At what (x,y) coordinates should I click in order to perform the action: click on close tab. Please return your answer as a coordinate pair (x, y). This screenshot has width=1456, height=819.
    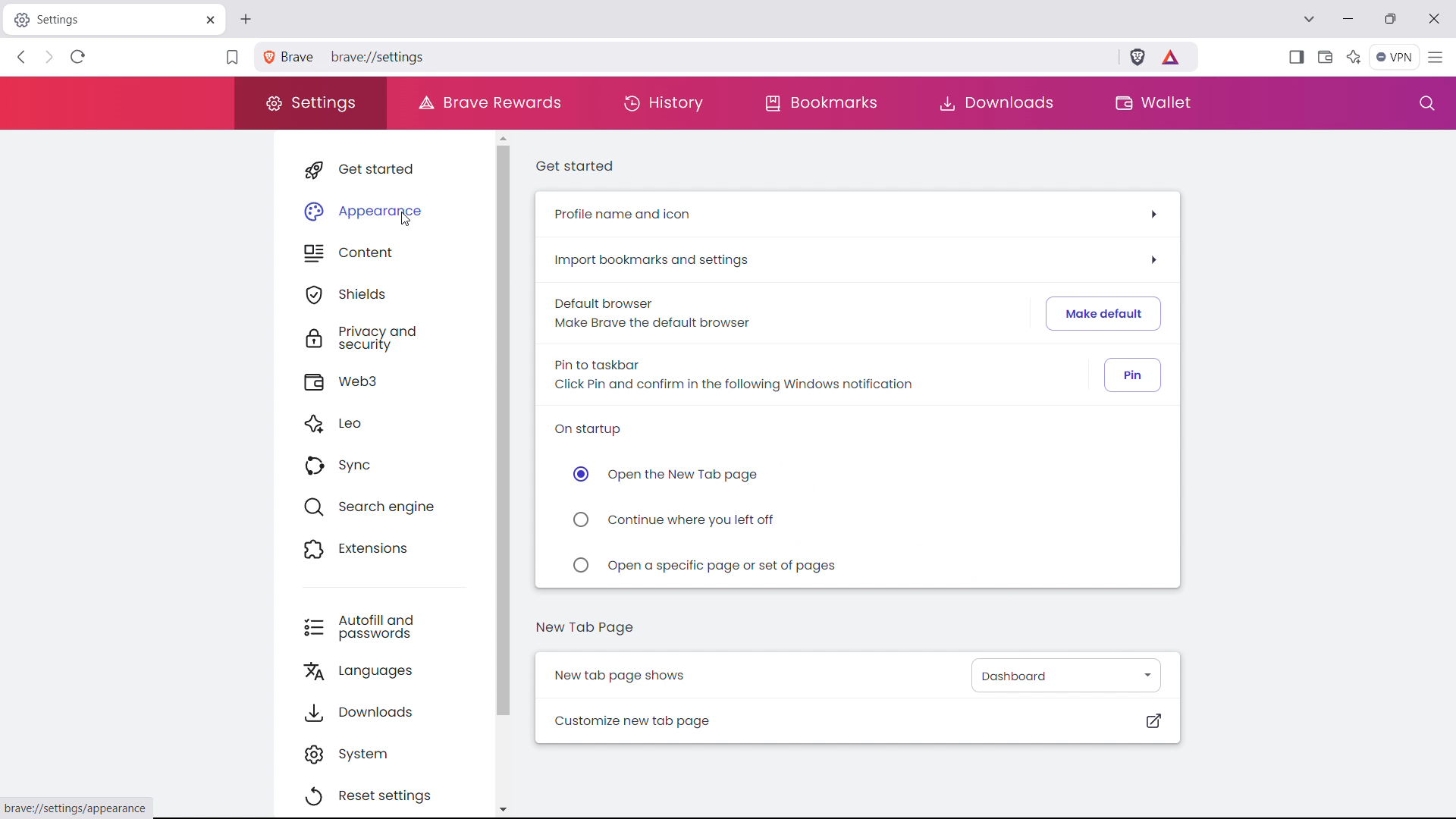
    Looking at the image, I should click on (211, 21).